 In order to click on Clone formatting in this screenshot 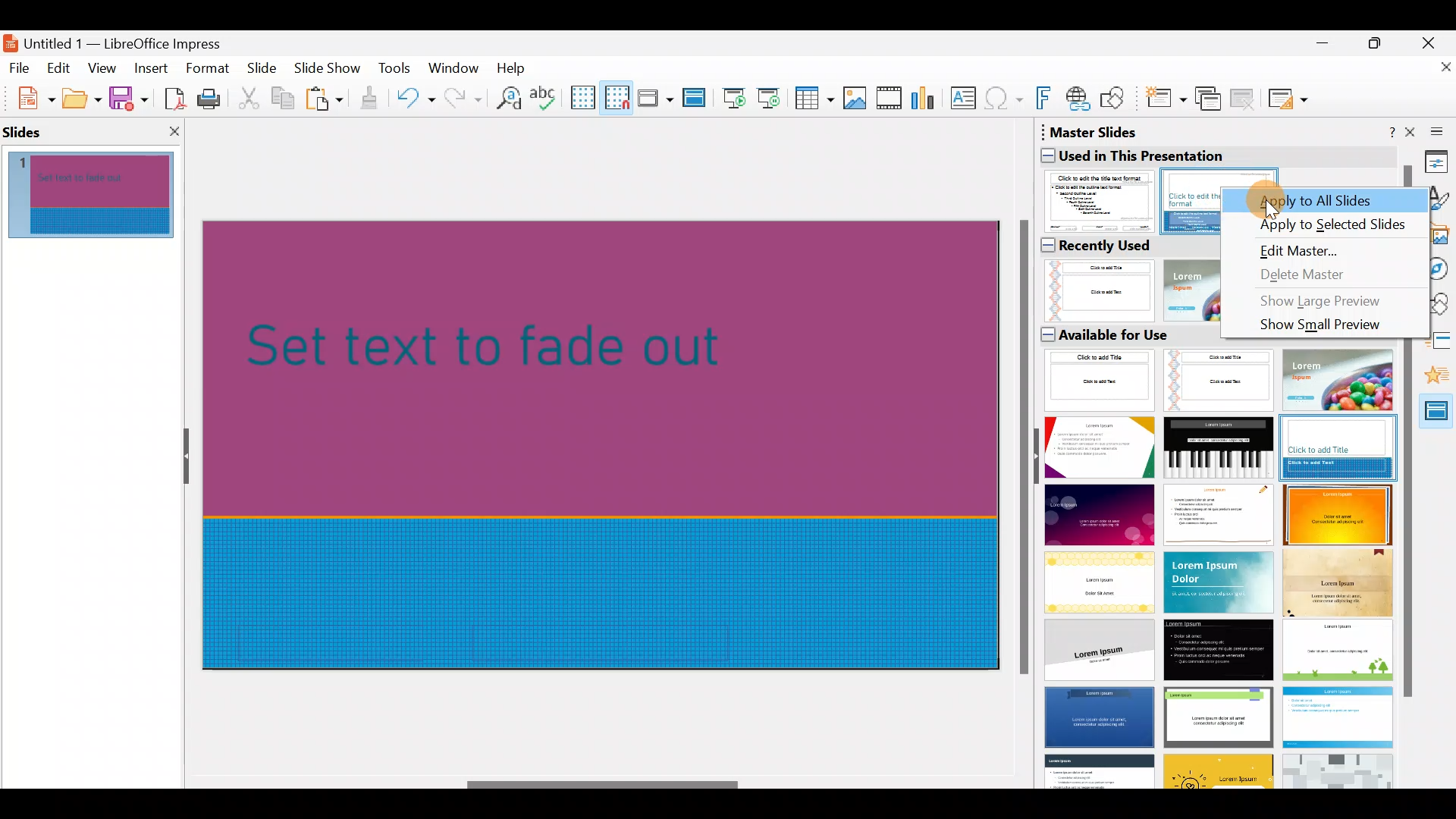, I will do `click(372, 99)`.